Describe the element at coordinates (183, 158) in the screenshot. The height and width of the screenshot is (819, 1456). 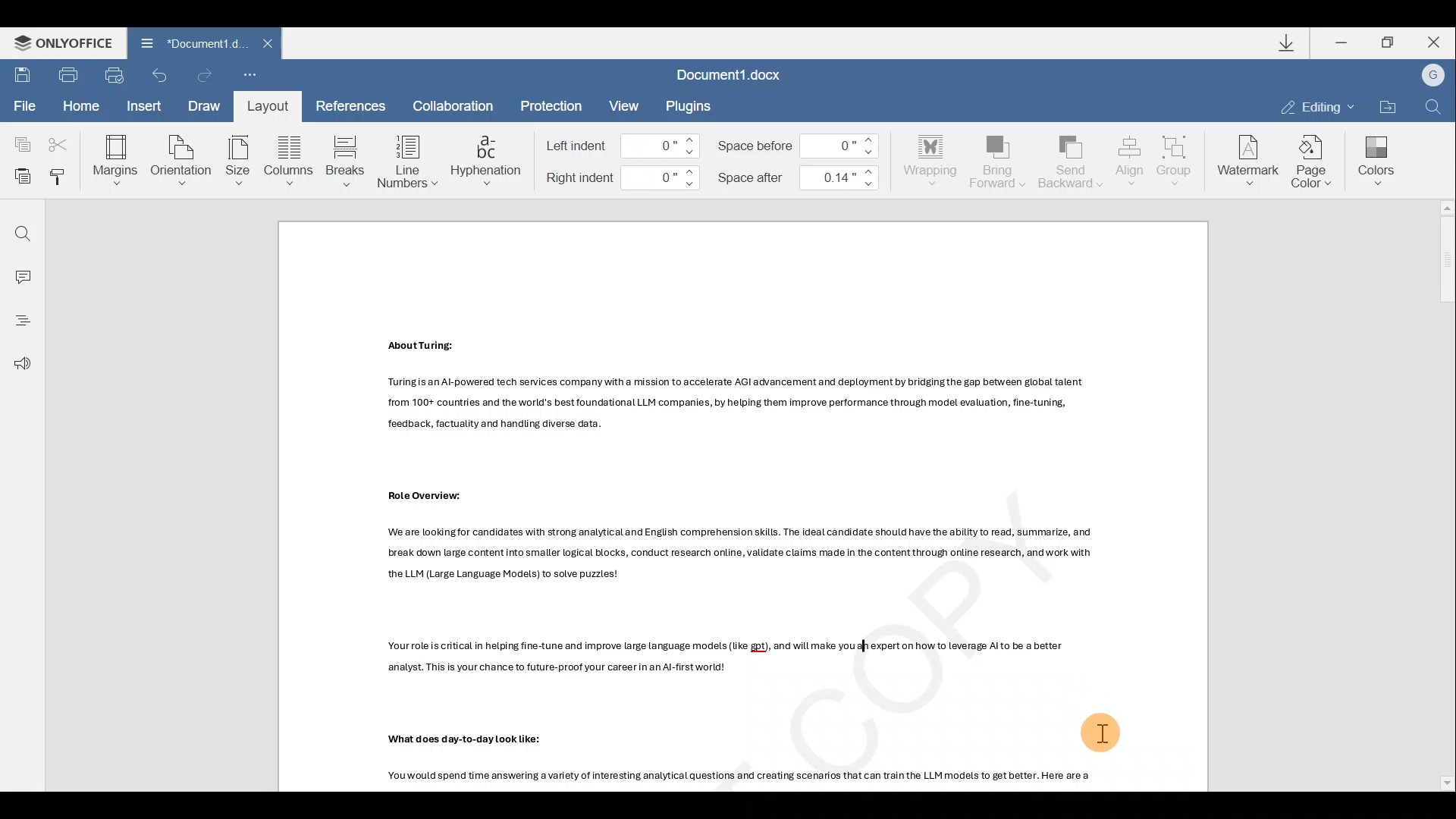
I see `Orientation` at that location.